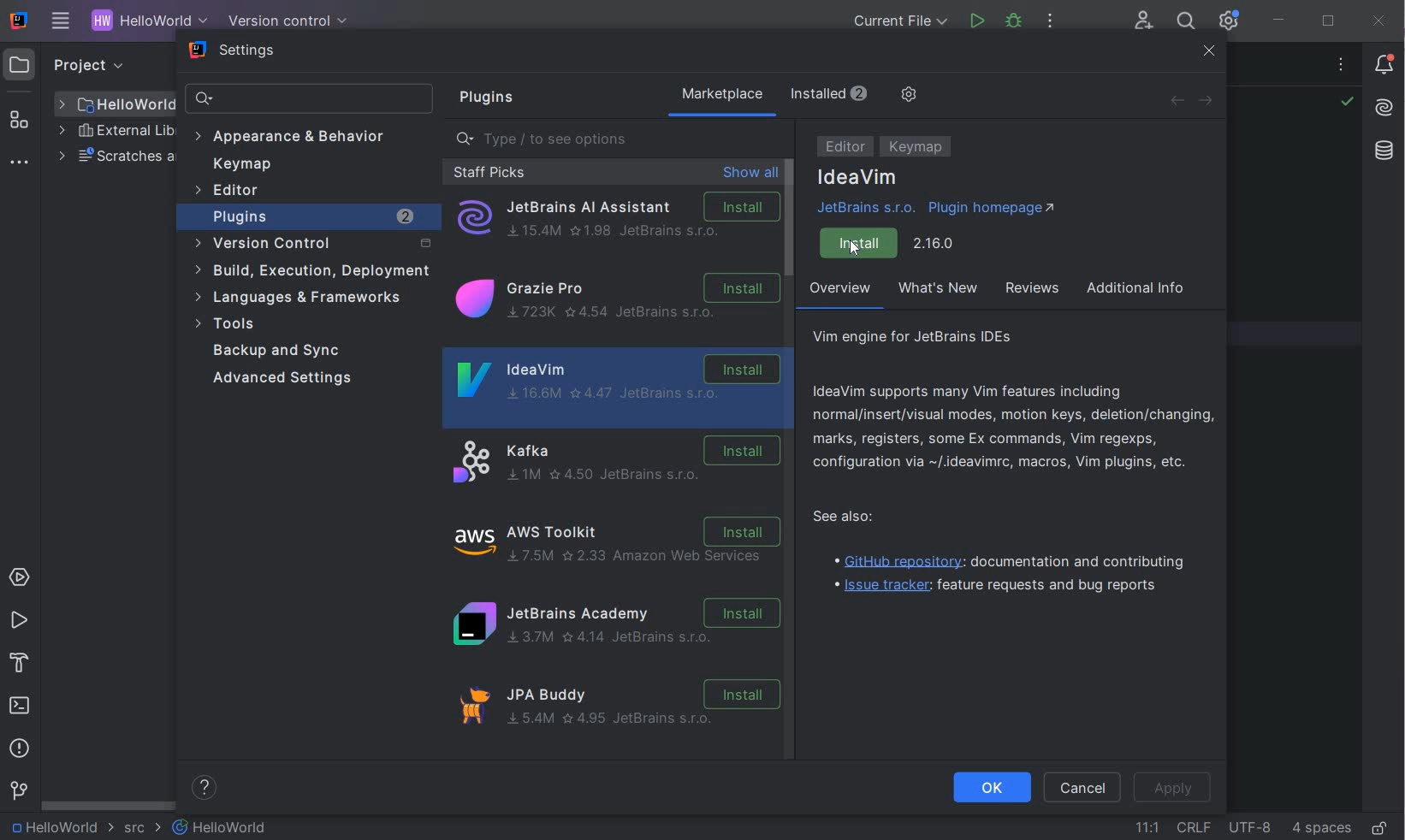 This screenshot has height=840, width=1405. I want to click on VERSION CONTROL, so click(284, 21).